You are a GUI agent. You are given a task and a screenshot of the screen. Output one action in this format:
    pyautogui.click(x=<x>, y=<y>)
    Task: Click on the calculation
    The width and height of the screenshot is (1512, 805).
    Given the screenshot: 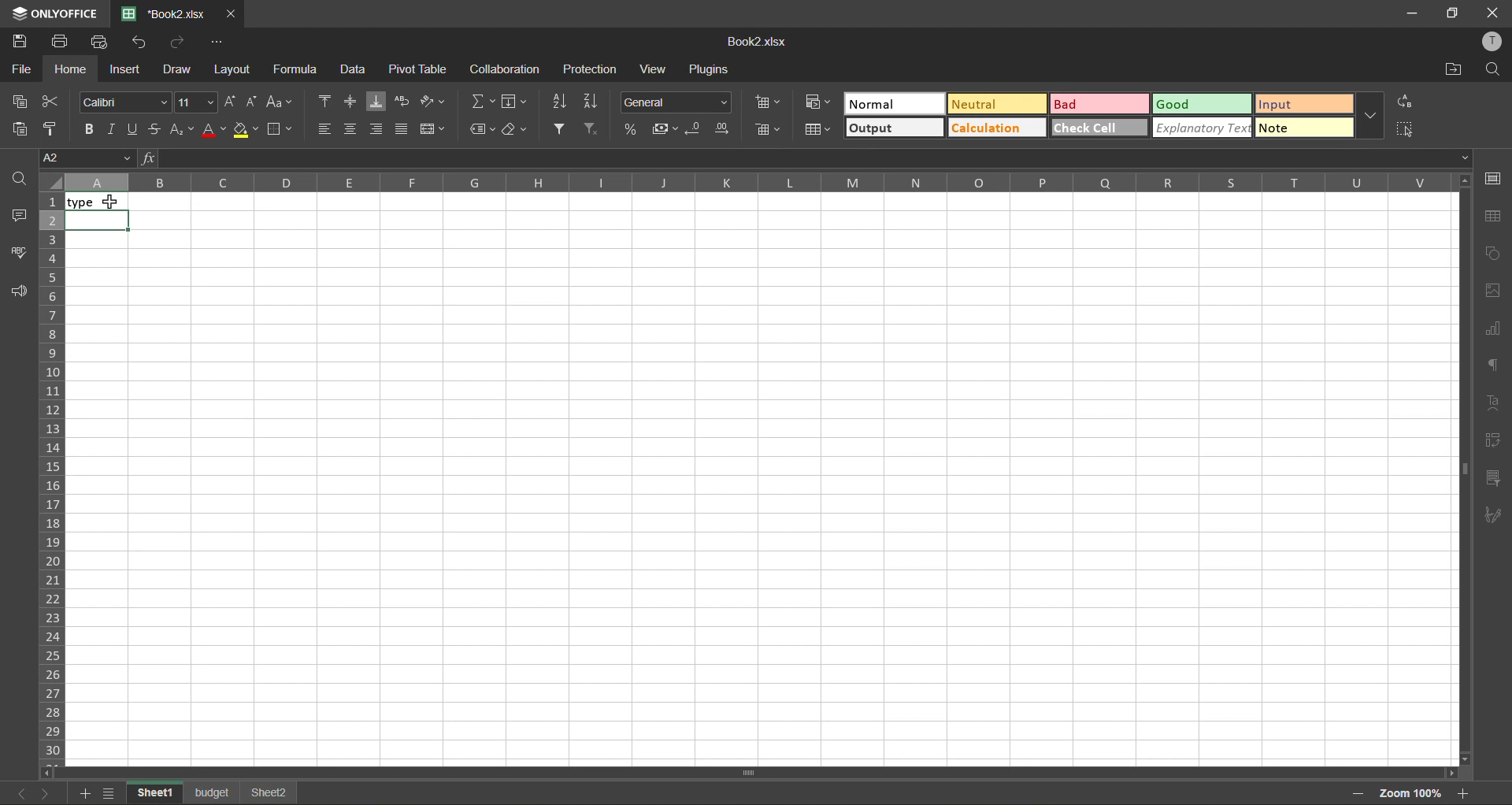 What is the action you would take?
    pyautogui.click(x=995, y=127)
    